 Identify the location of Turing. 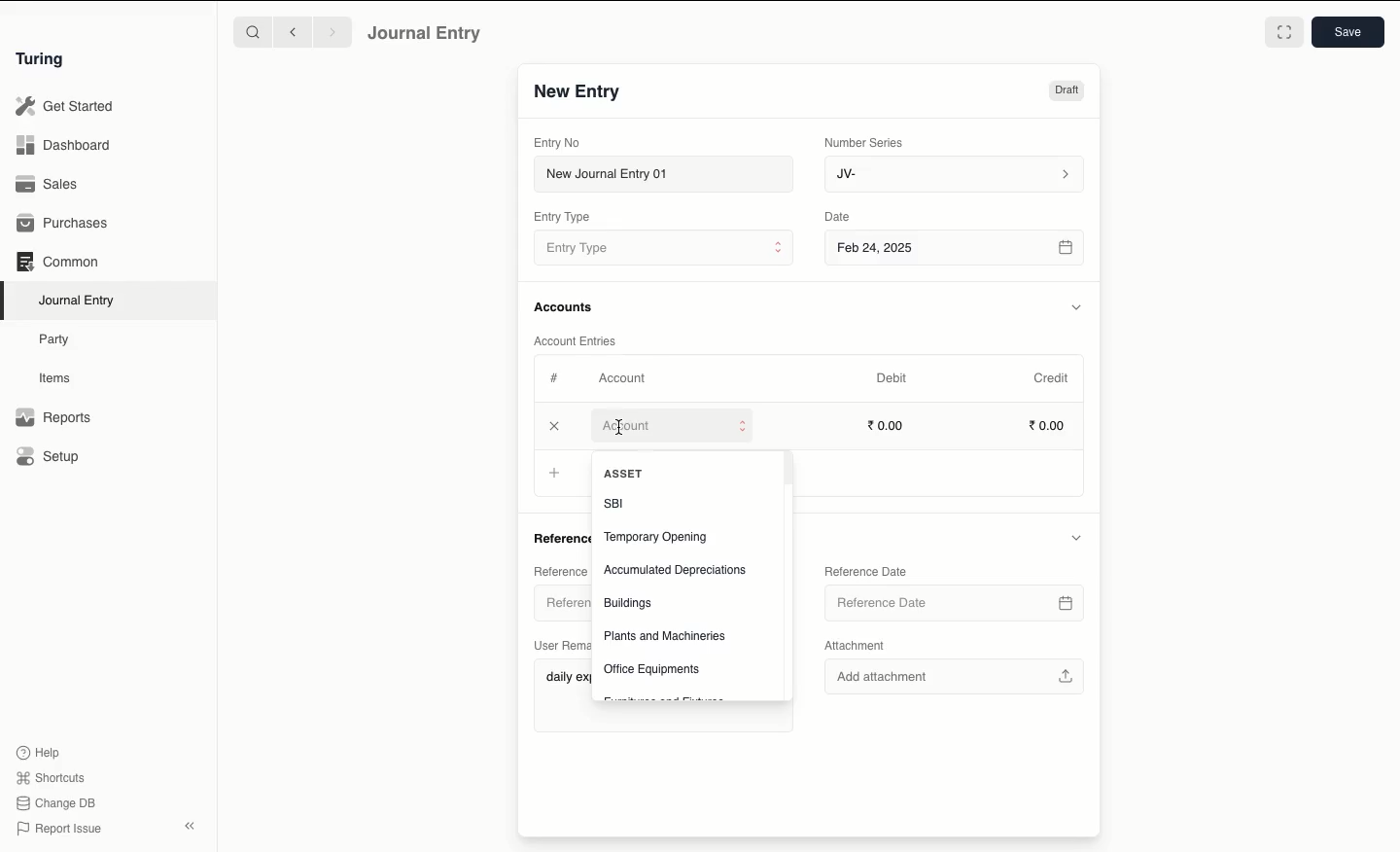
(44, 60).